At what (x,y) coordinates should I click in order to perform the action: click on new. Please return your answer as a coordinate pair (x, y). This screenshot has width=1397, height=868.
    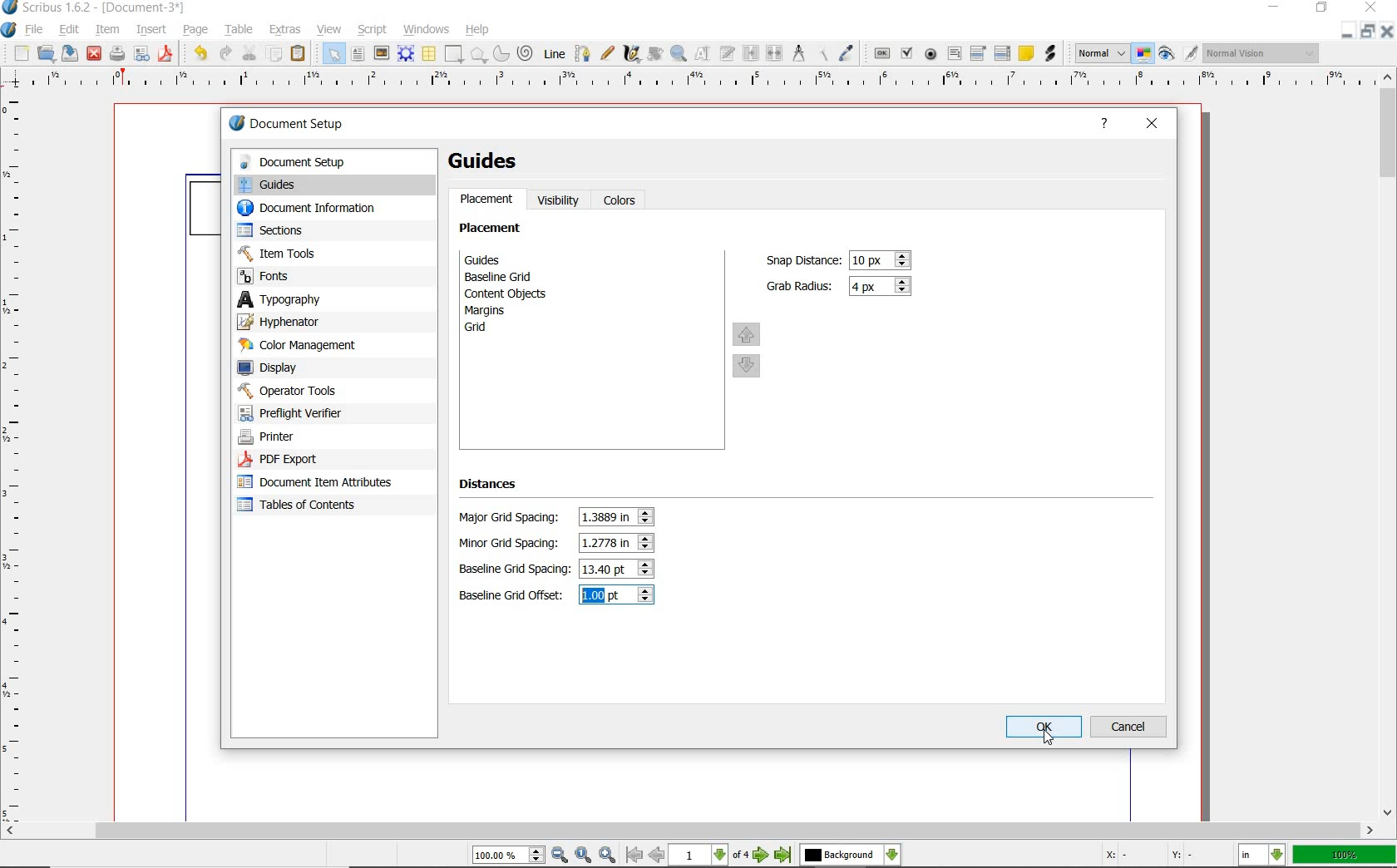
    Looking at the image, I should click on (19, 53).